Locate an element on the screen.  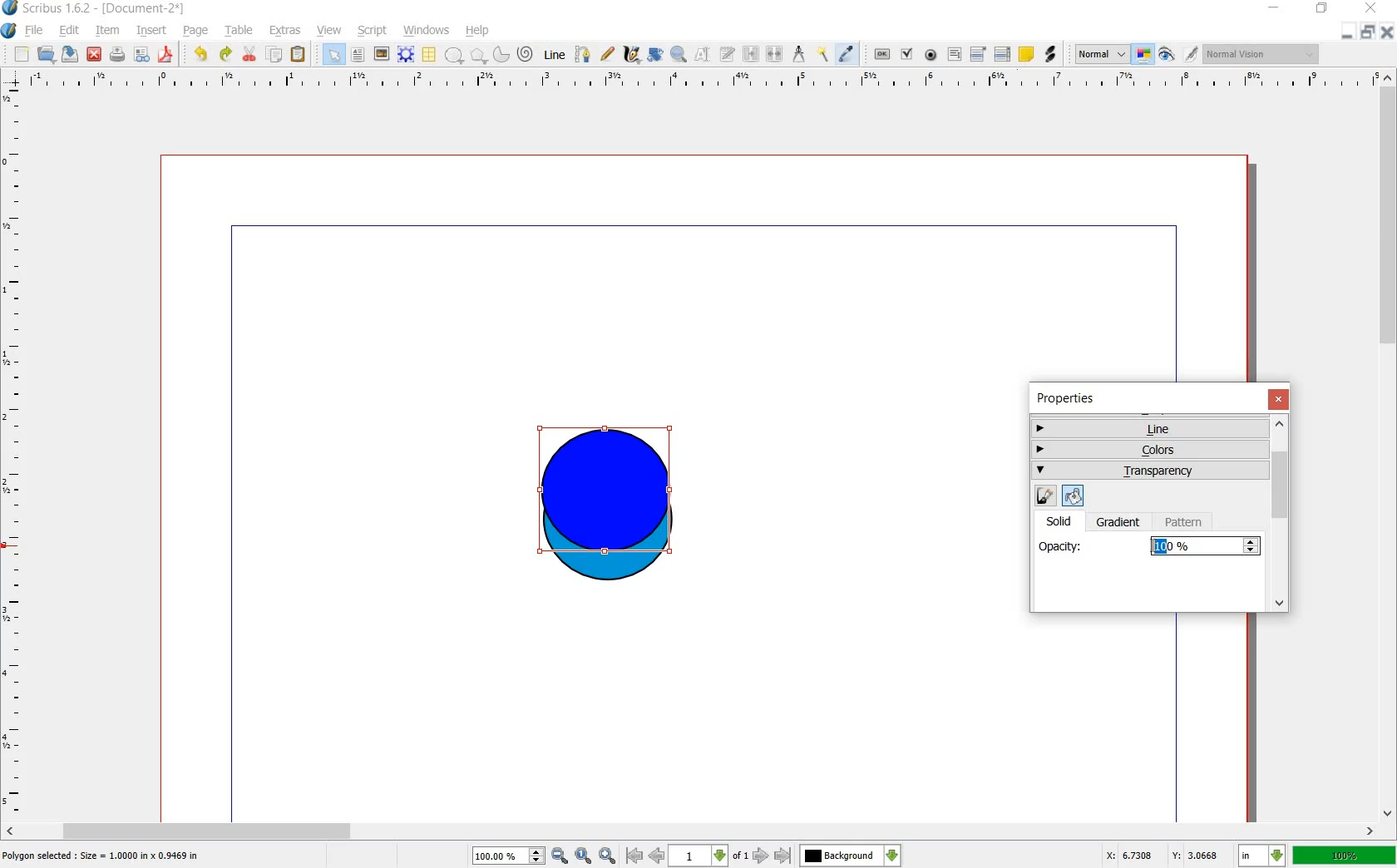
edit line color properties is located at coordinates (1044, 496).